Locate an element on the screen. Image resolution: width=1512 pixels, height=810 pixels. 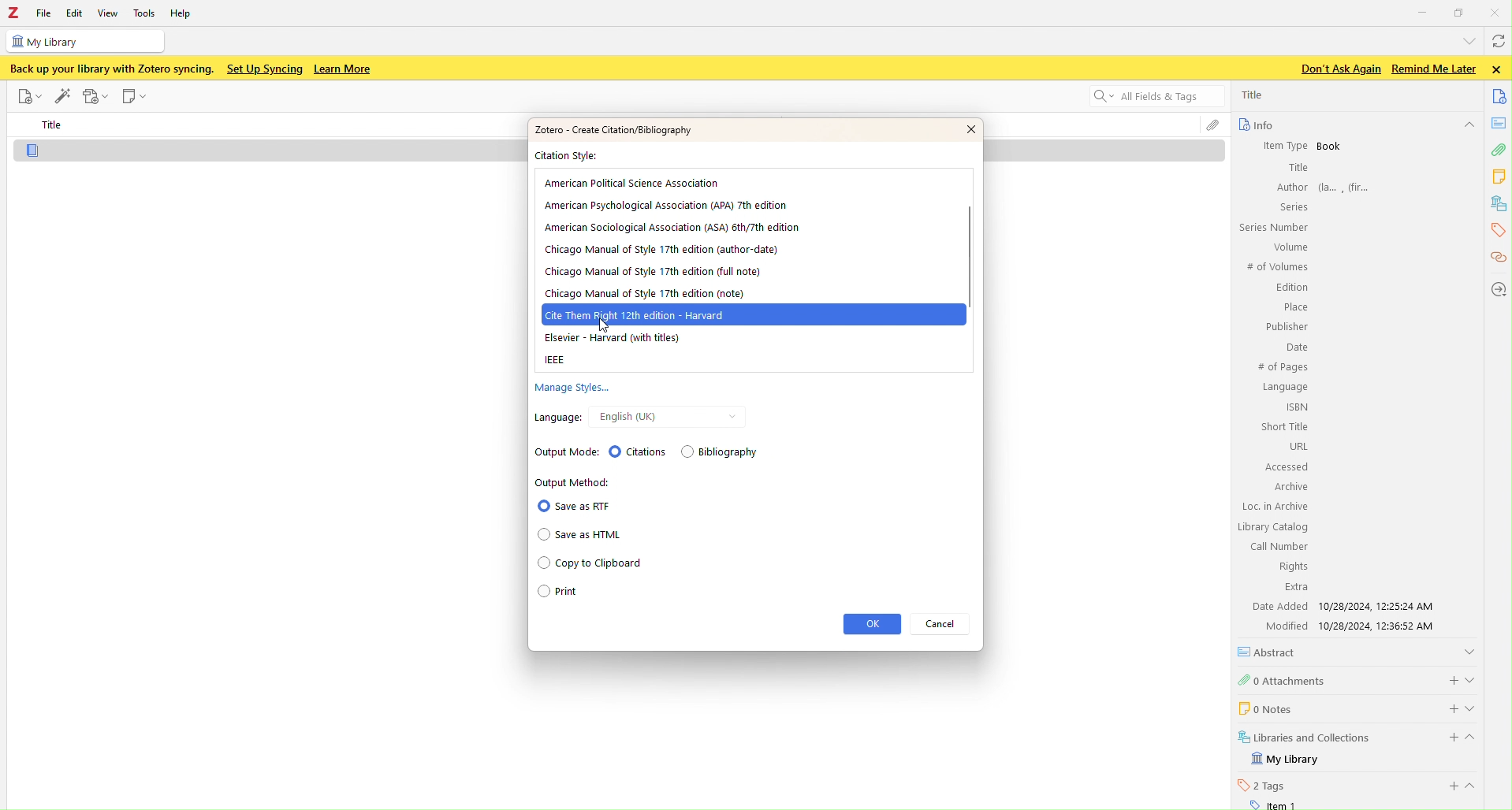
refresh  is located at coordinates (1497, 43).